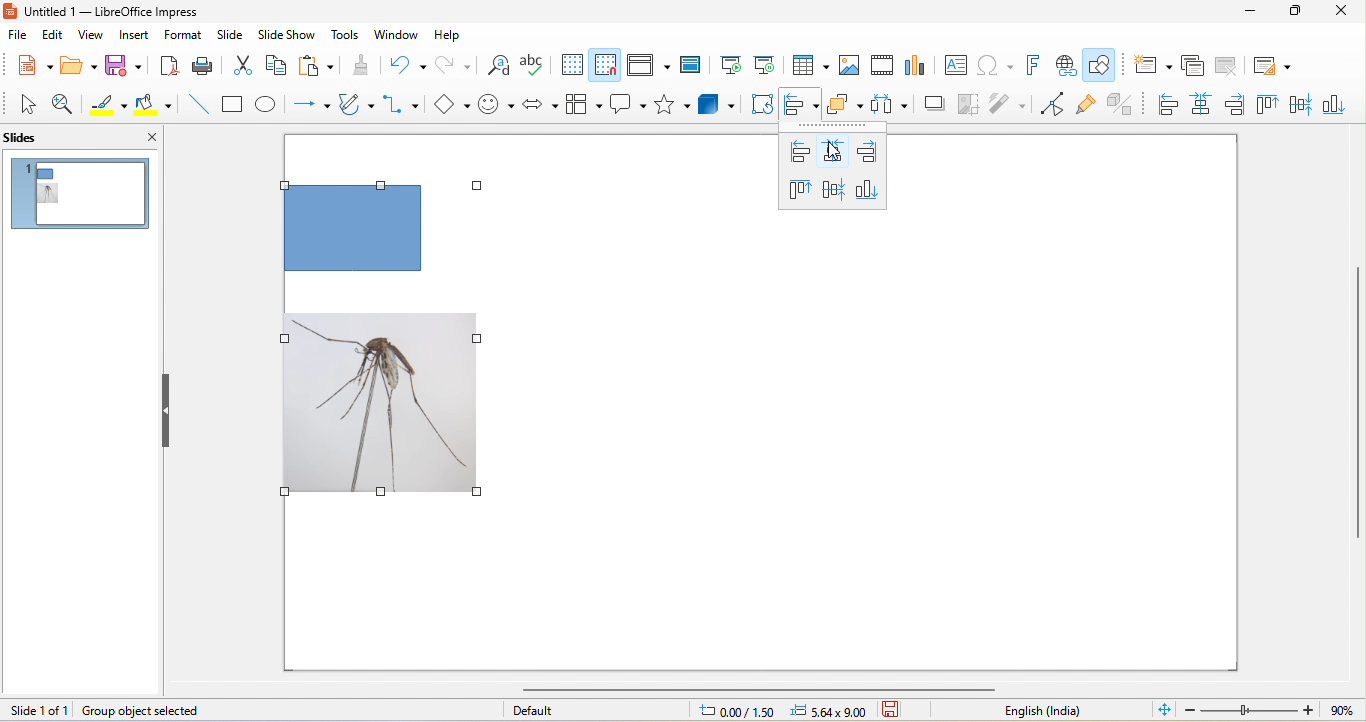  What do you see at coordinates (240, 64) in the screenshot?
I see `cut` at bounding box center [240, 64].